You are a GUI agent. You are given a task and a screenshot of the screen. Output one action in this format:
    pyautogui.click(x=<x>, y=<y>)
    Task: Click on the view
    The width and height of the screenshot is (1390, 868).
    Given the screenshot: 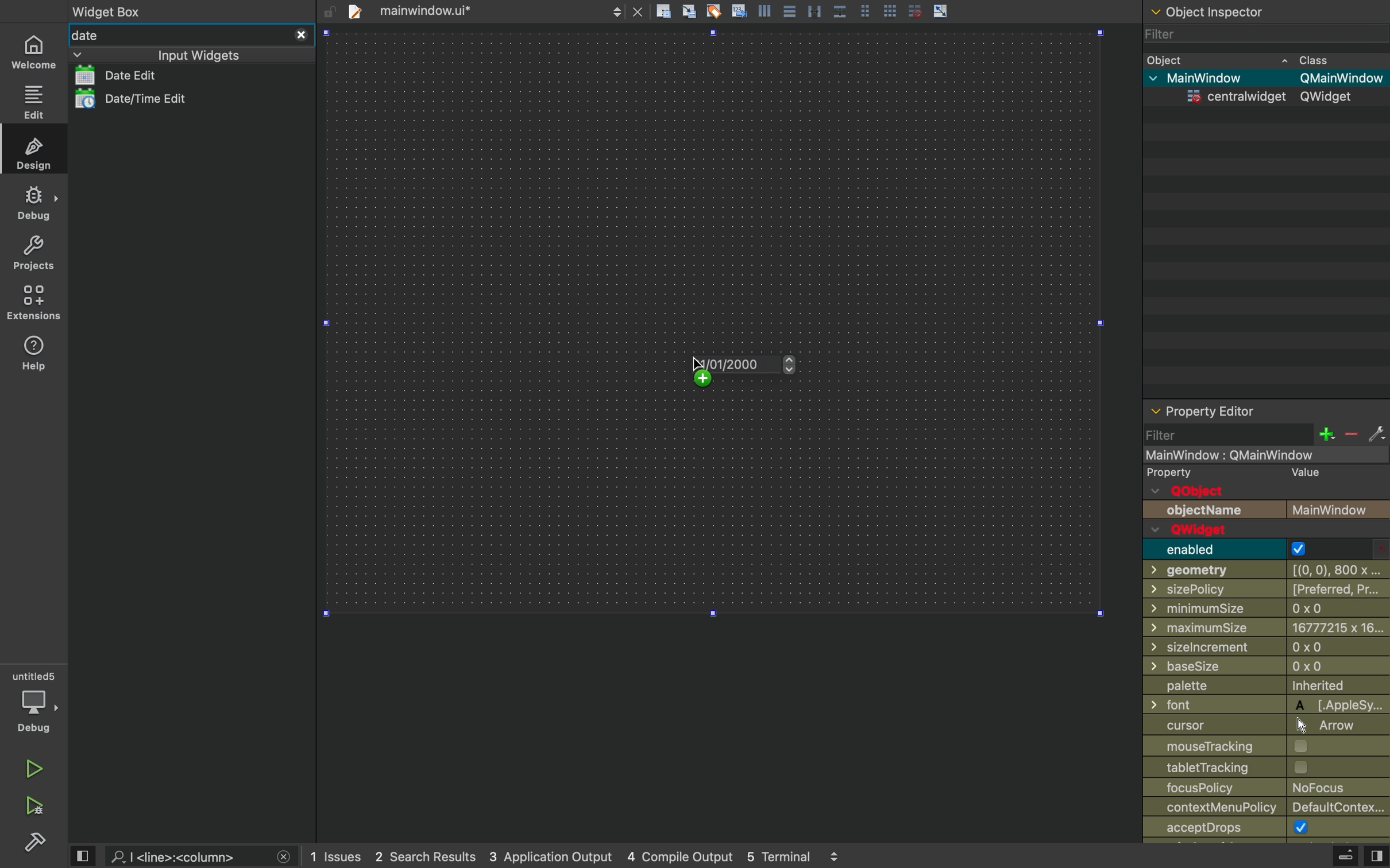 What is the action you would take?
    pyautogui.click(x=1376, y=854)
    